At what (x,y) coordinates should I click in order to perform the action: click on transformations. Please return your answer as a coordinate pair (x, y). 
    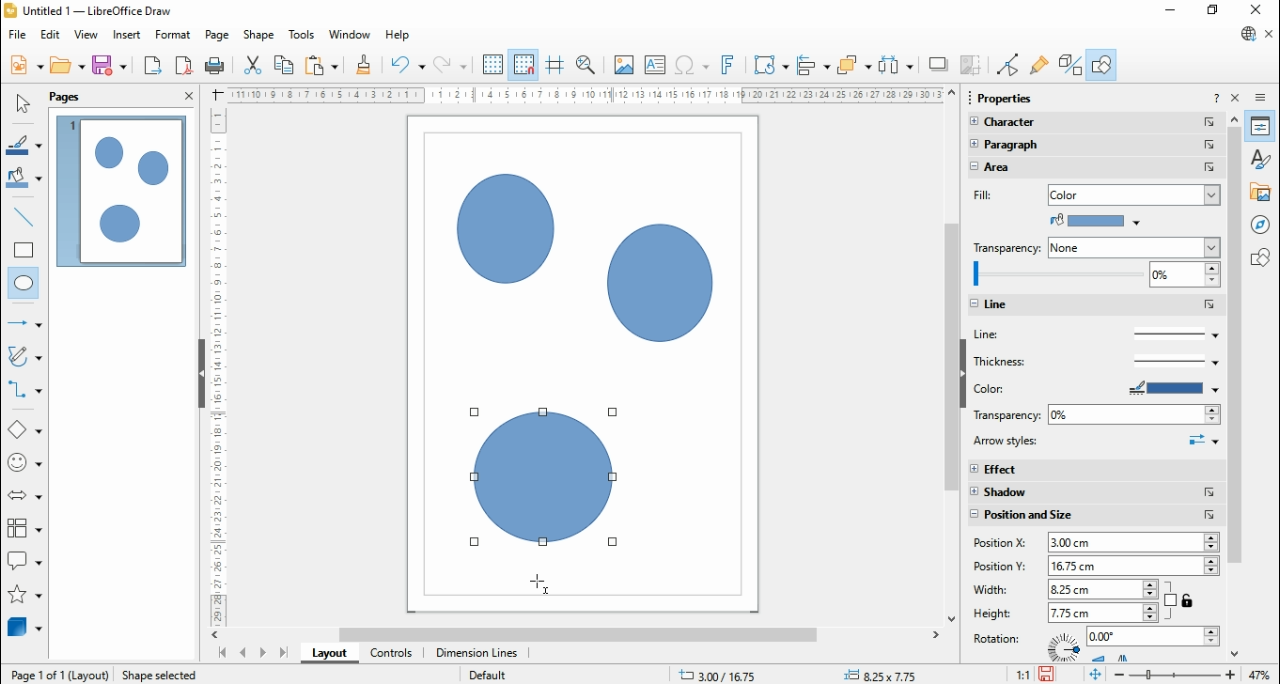
    Looking at the image, I should click on (769, 66).